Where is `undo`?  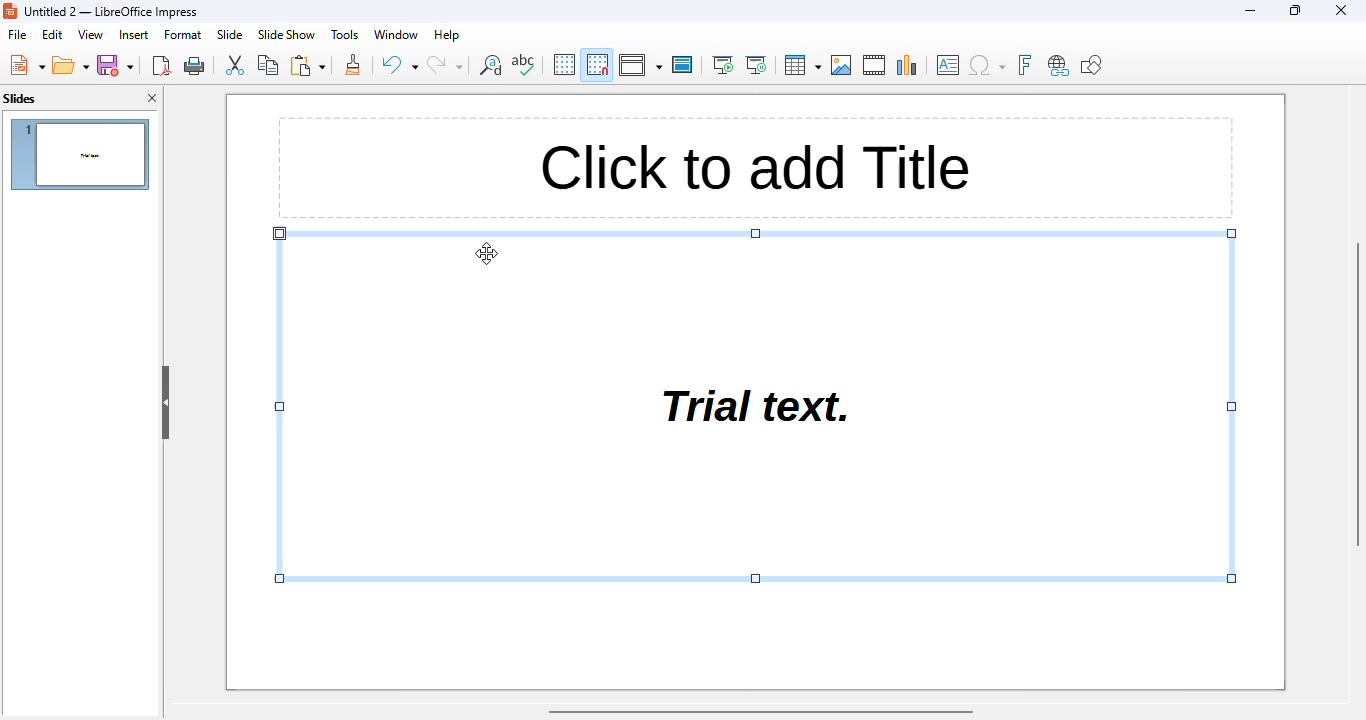 undo is located at coordinates (400, 64).